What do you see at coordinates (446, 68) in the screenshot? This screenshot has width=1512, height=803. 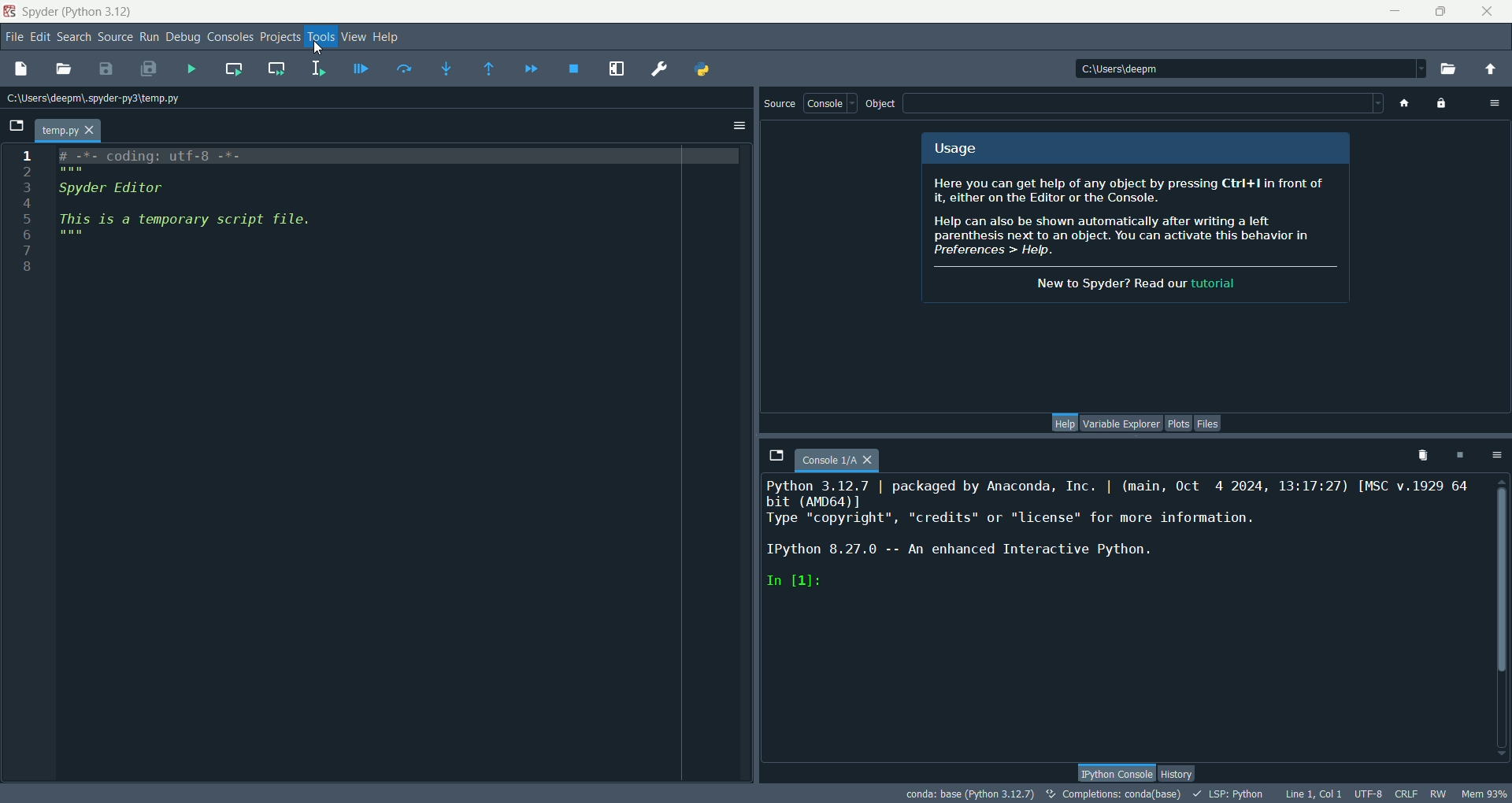 I see `step into function` at bounding box center [446, 68].